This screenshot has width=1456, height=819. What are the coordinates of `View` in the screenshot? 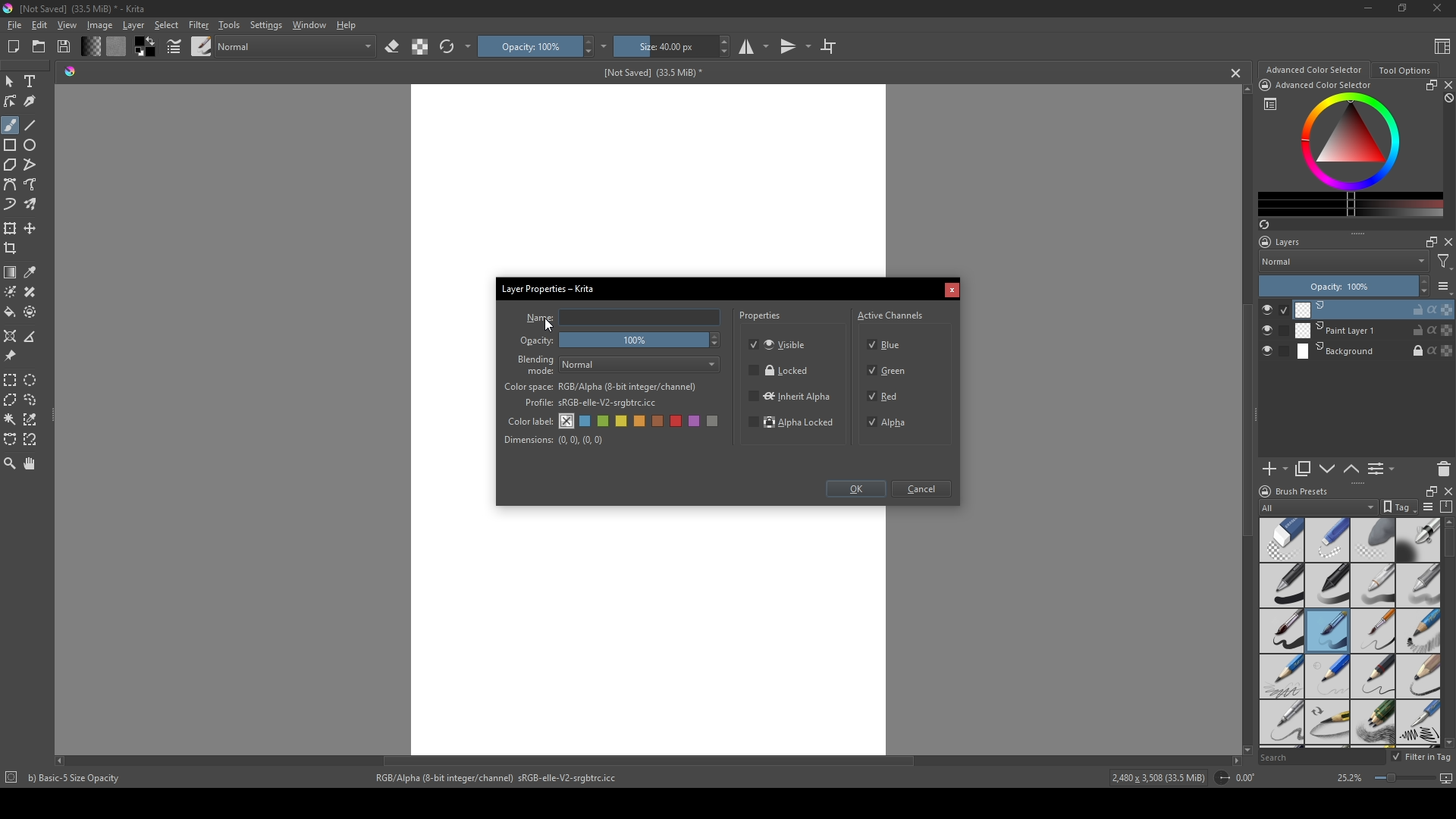 It's located at (67, 25).